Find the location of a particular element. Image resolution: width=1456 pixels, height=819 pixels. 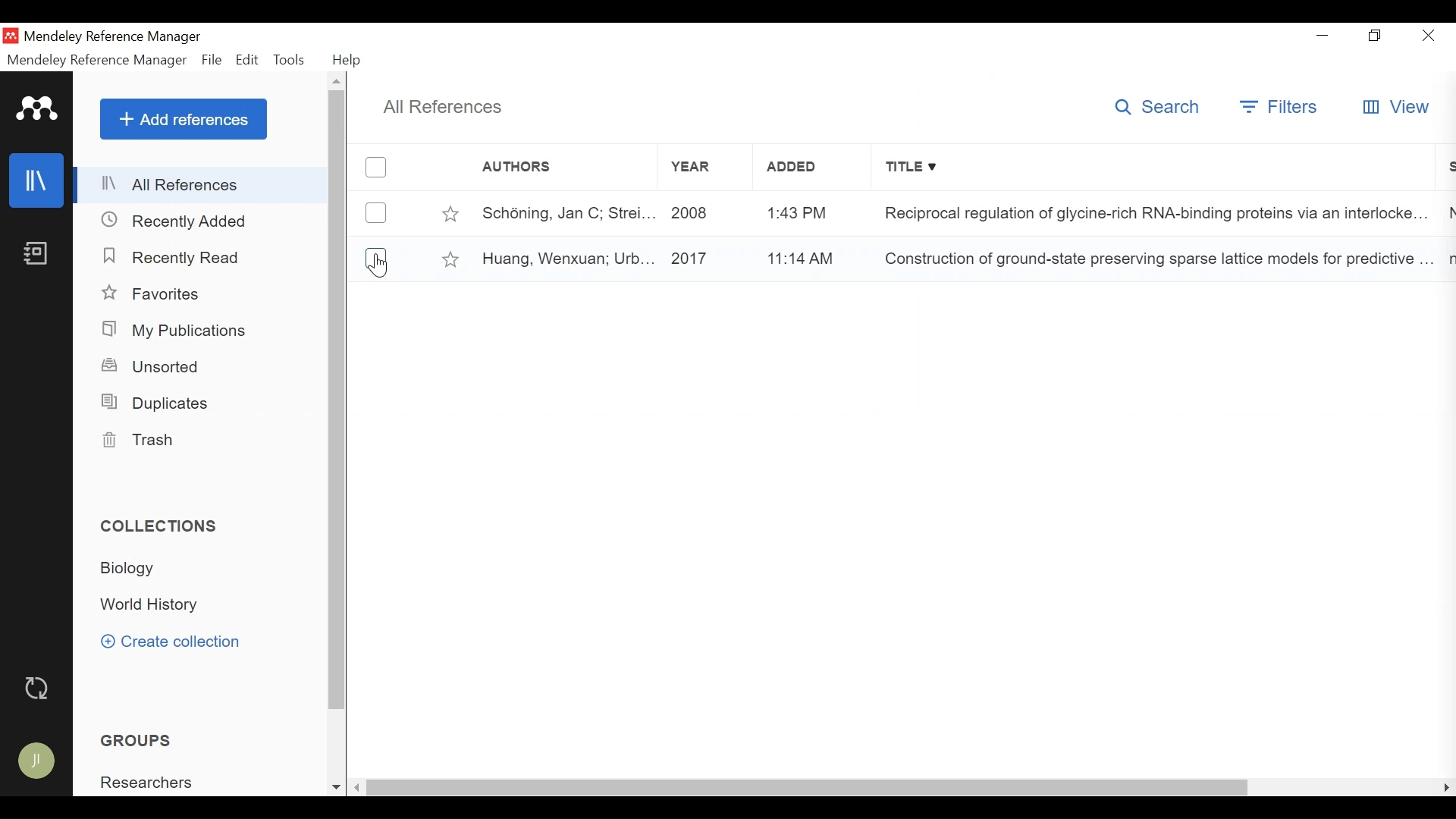

Huang, Wenxuan; Urb... is located at coordinates (568, 260).